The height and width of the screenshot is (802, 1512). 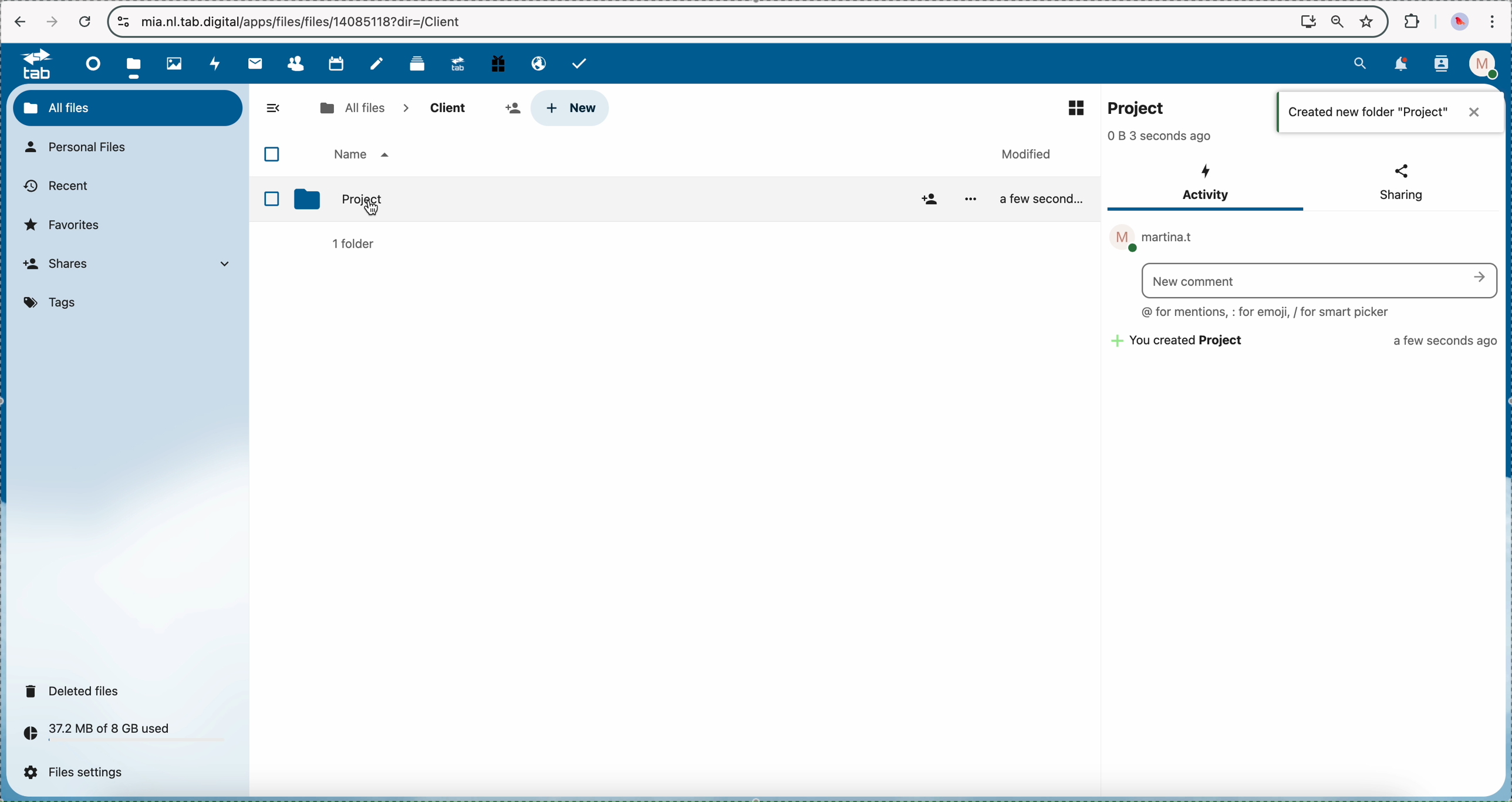 What do you see at coordinates (1445, 341) in the screenshot?
I see `a few seconds ago` at bounding box center [1445, 341].